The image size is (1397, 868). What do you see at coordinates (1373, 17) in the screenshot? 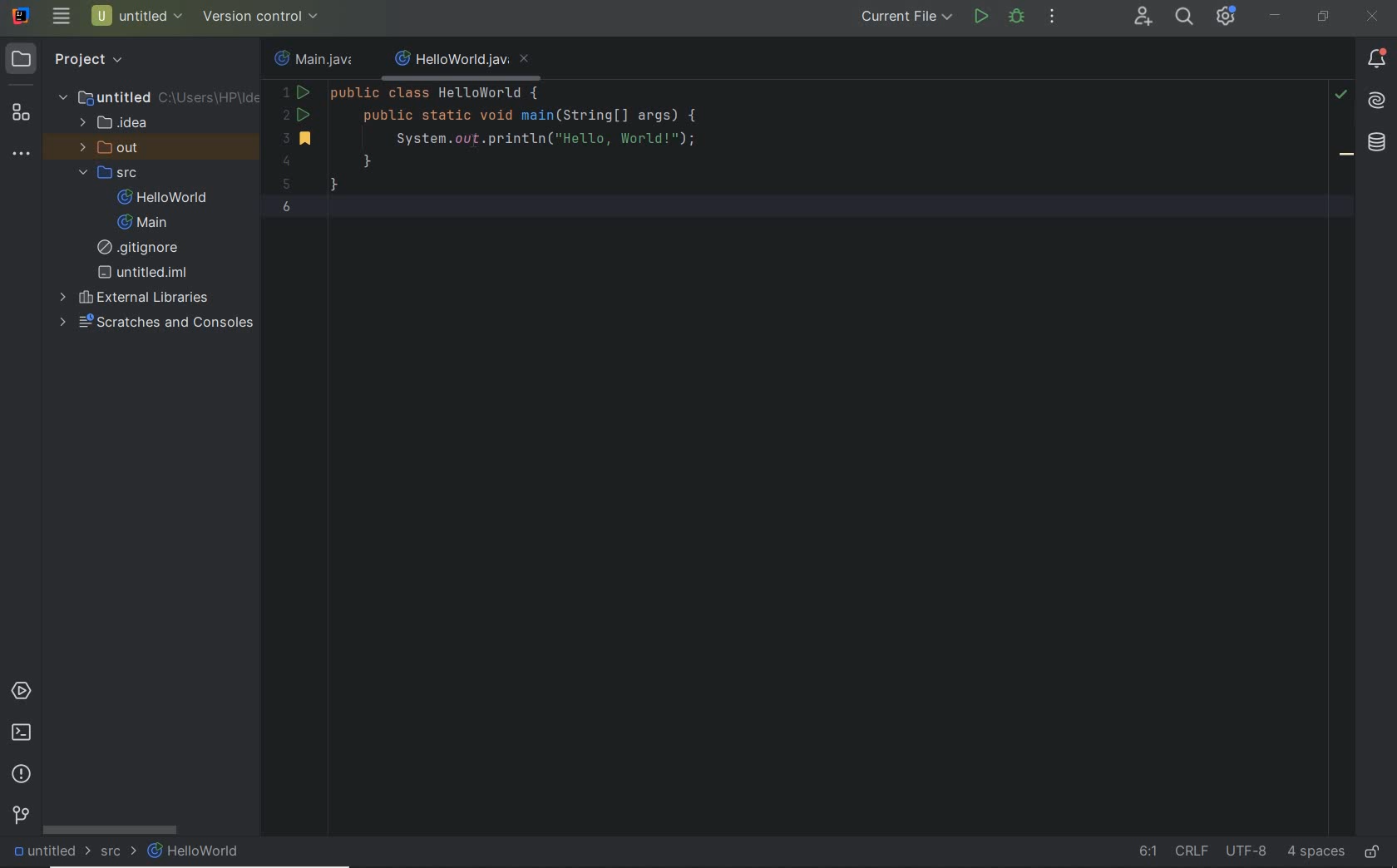
I see `close` at bounding box center [1373, 17].